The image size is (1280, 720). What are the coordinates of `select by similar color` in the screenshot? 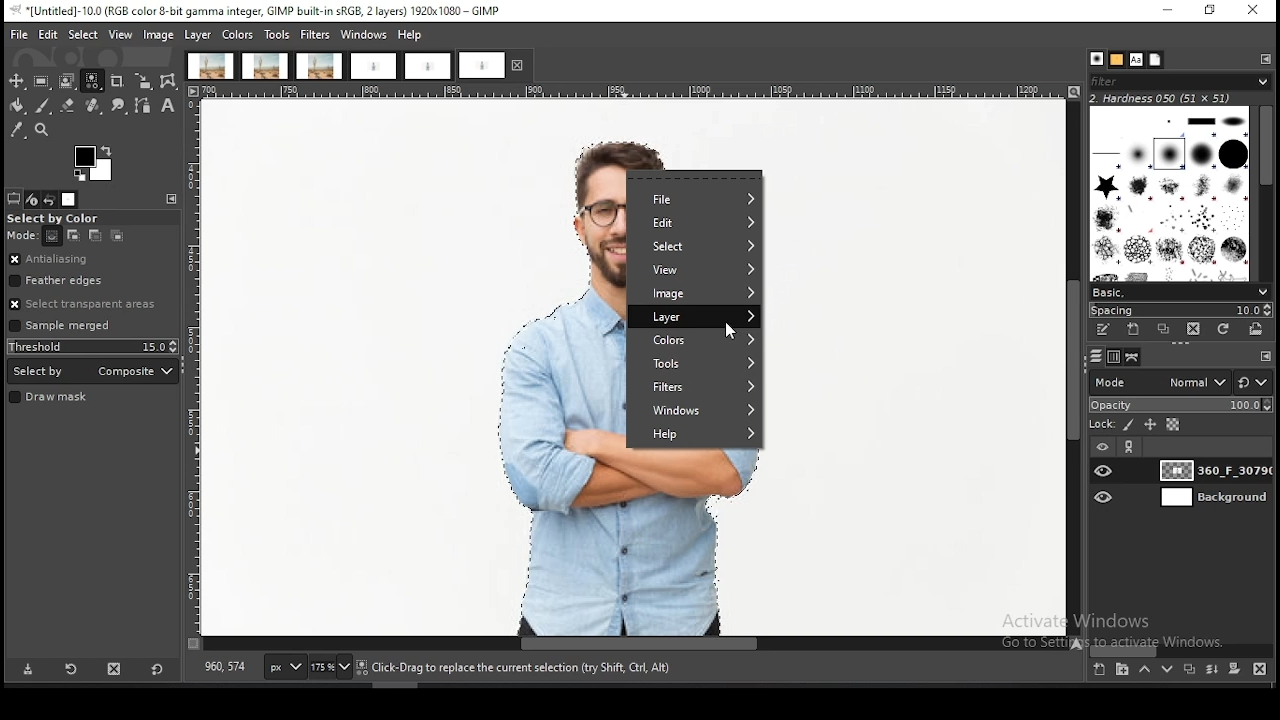 It's located at (92, 81).